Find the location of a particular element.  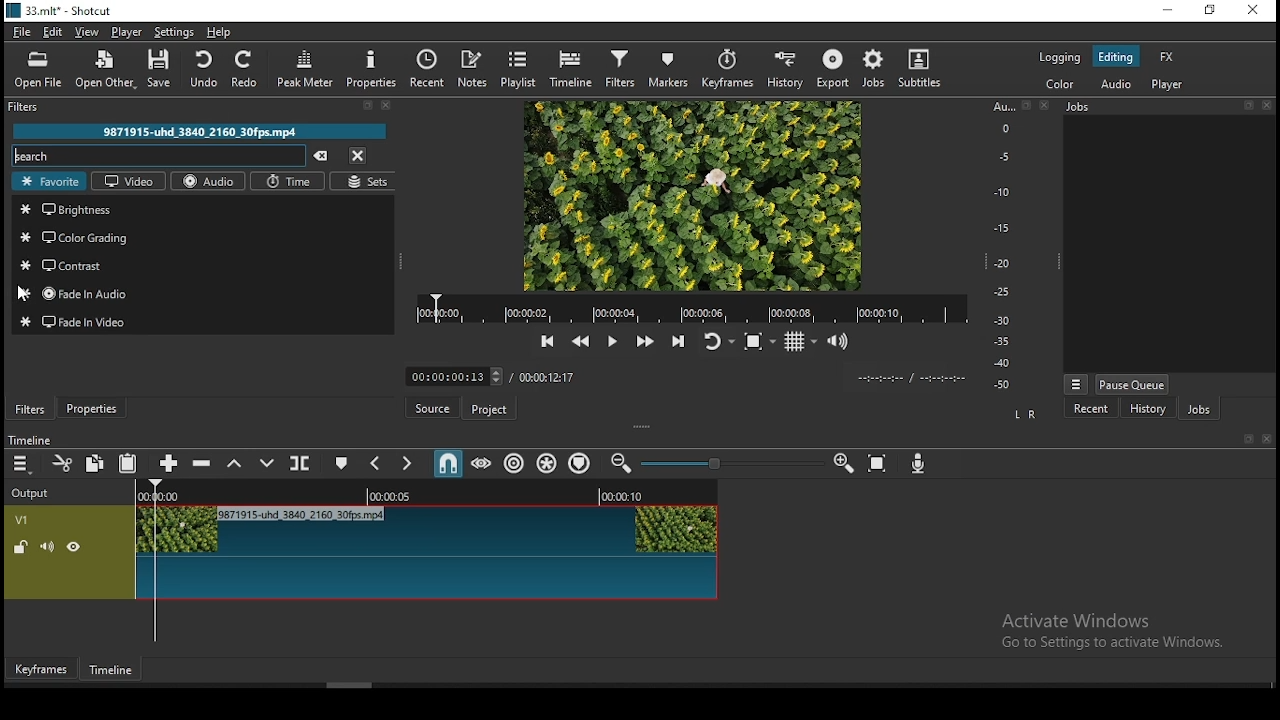

Go to Settings to activate Windows. is located at coordinates (1112, 641).